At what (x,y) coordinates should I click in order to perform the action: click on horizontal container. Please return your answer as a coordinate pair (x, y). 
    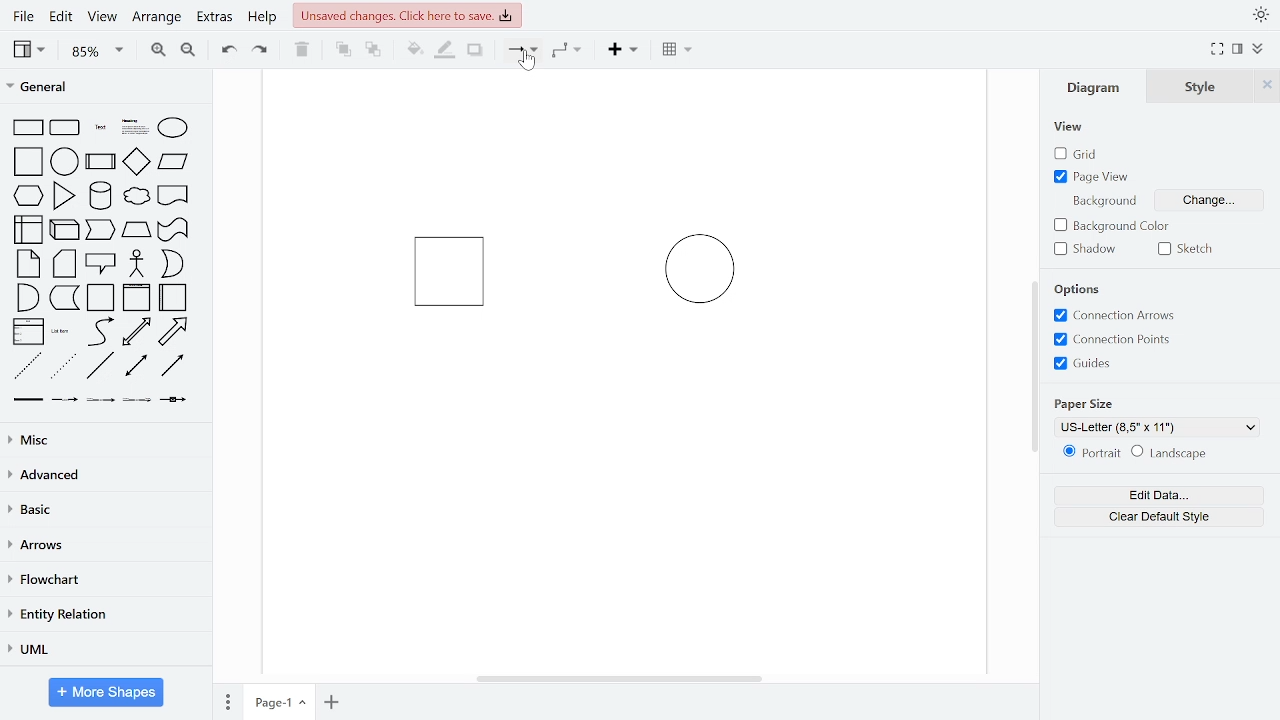
    Looking at the image, I should click on (174, 297).